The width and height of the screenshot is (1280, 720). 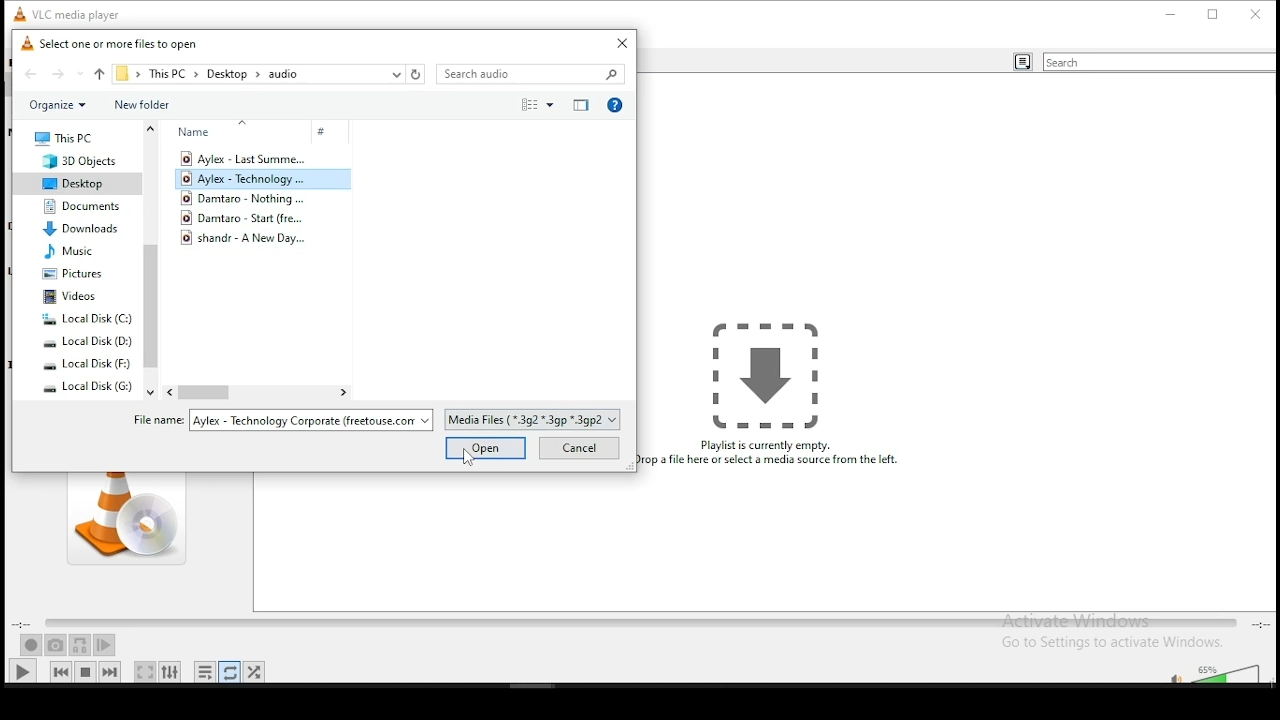 I want to click on scroll bar, so click(x=150, y=258).